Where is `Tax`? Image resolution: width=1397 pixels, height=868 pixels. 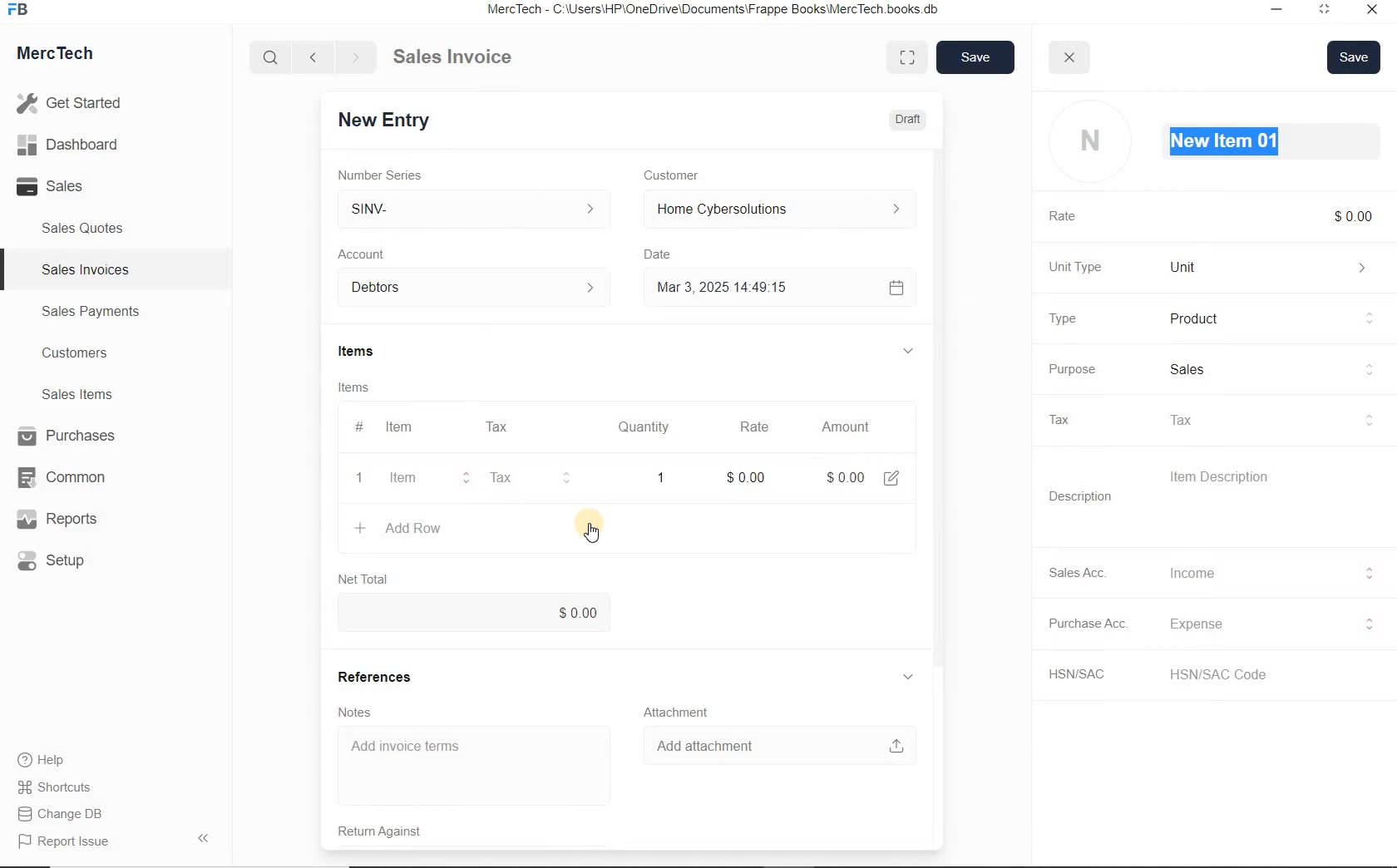
Tax is located at coordinates (518, 478).